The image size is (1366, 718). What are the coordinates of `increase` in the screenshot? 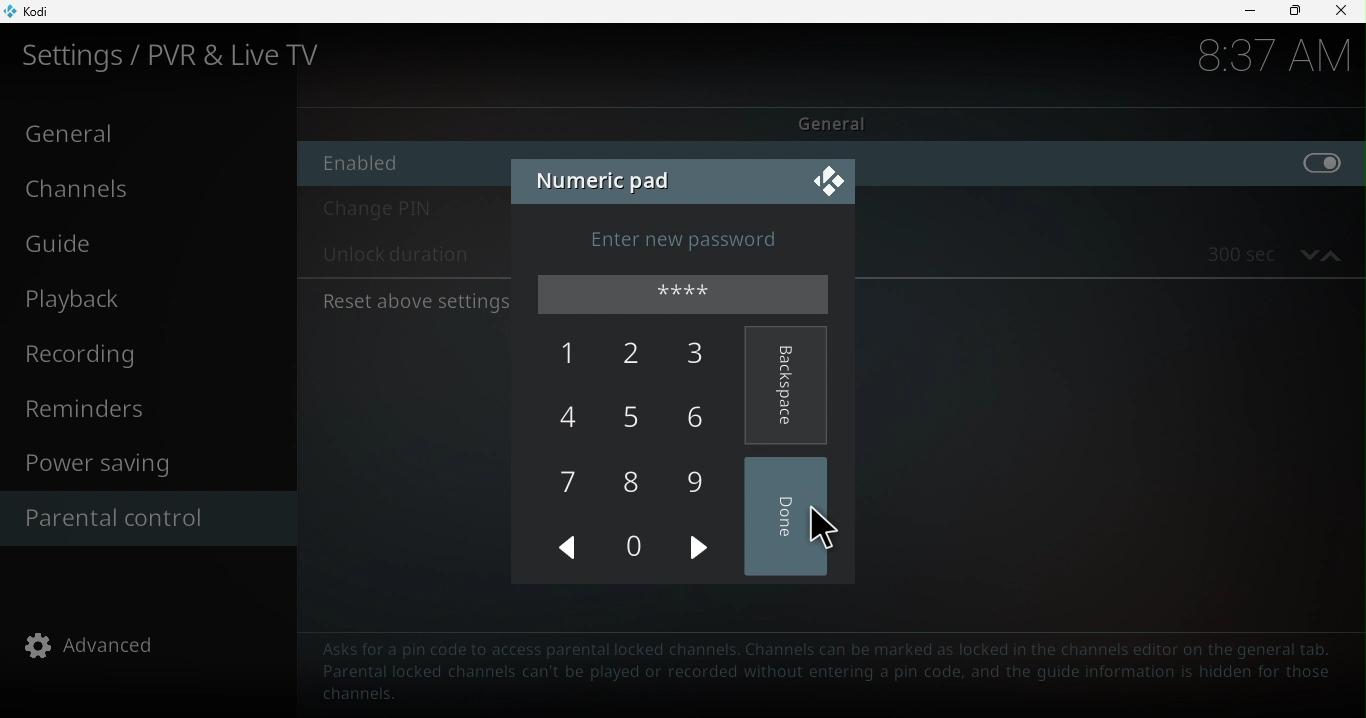 It's located at (1333, 253).